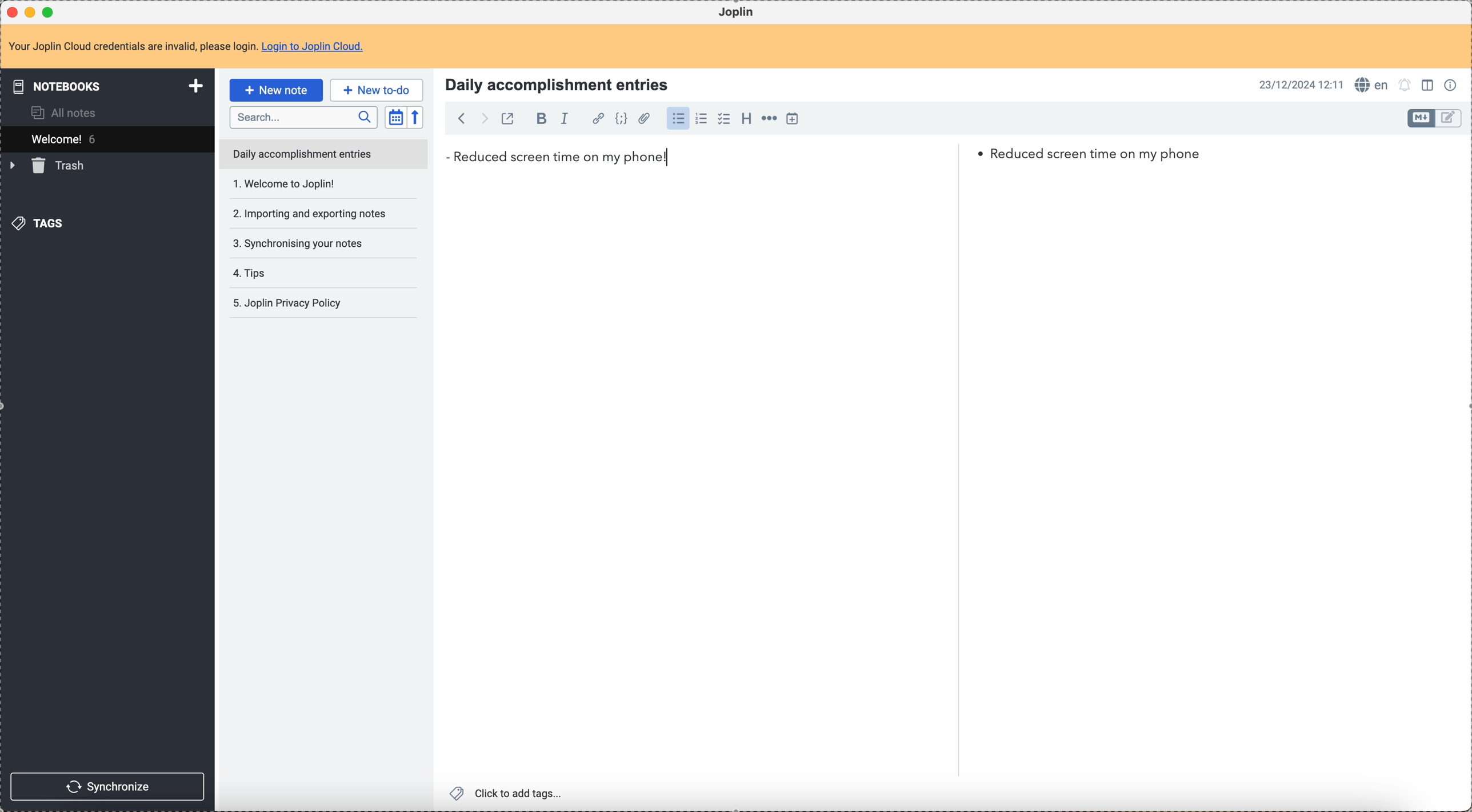 The image size is (1472, 812). Describe the element at coordinates (309, 245) in the screenshot. I see `tips` at that location.